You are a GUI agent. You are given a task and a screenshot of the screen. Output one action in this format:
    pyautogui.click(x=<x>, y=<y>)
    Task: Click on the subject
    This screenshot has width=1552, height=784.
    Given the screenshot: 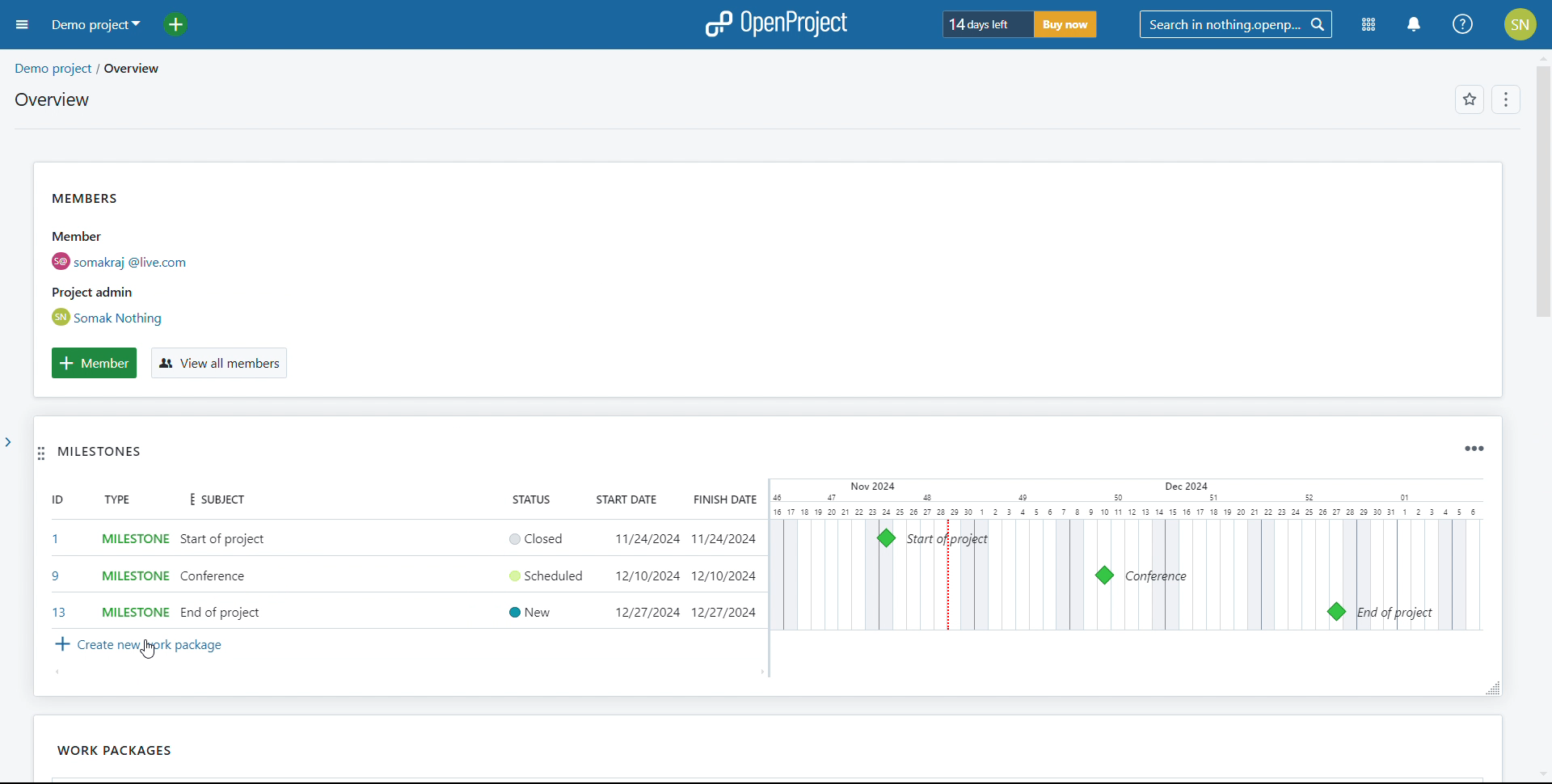 What is the action you would take?
    pyautogui.click(x=226, y=502)
    